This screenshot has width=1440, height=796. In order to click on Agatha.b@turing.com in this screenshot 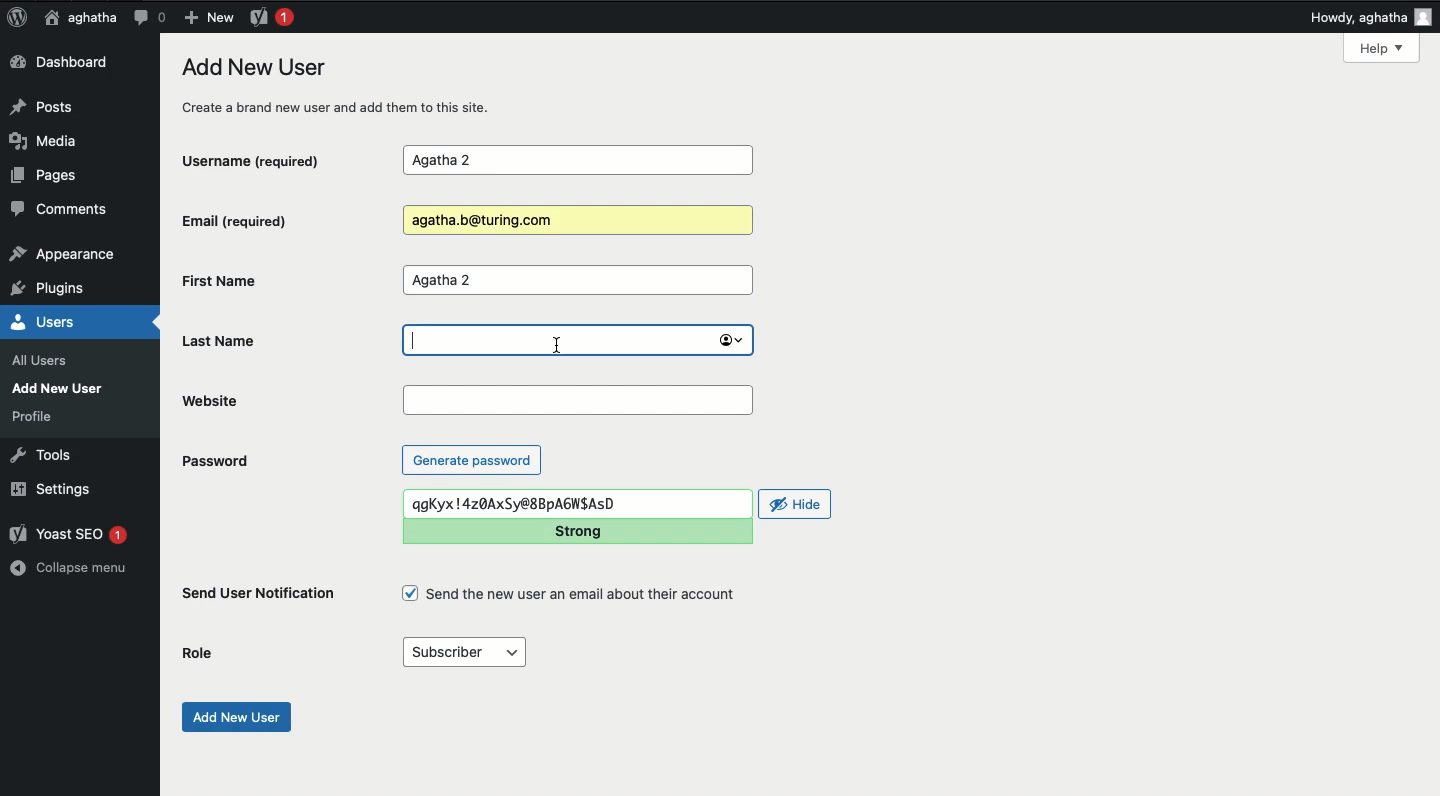, I will do `click(574, 221)`.